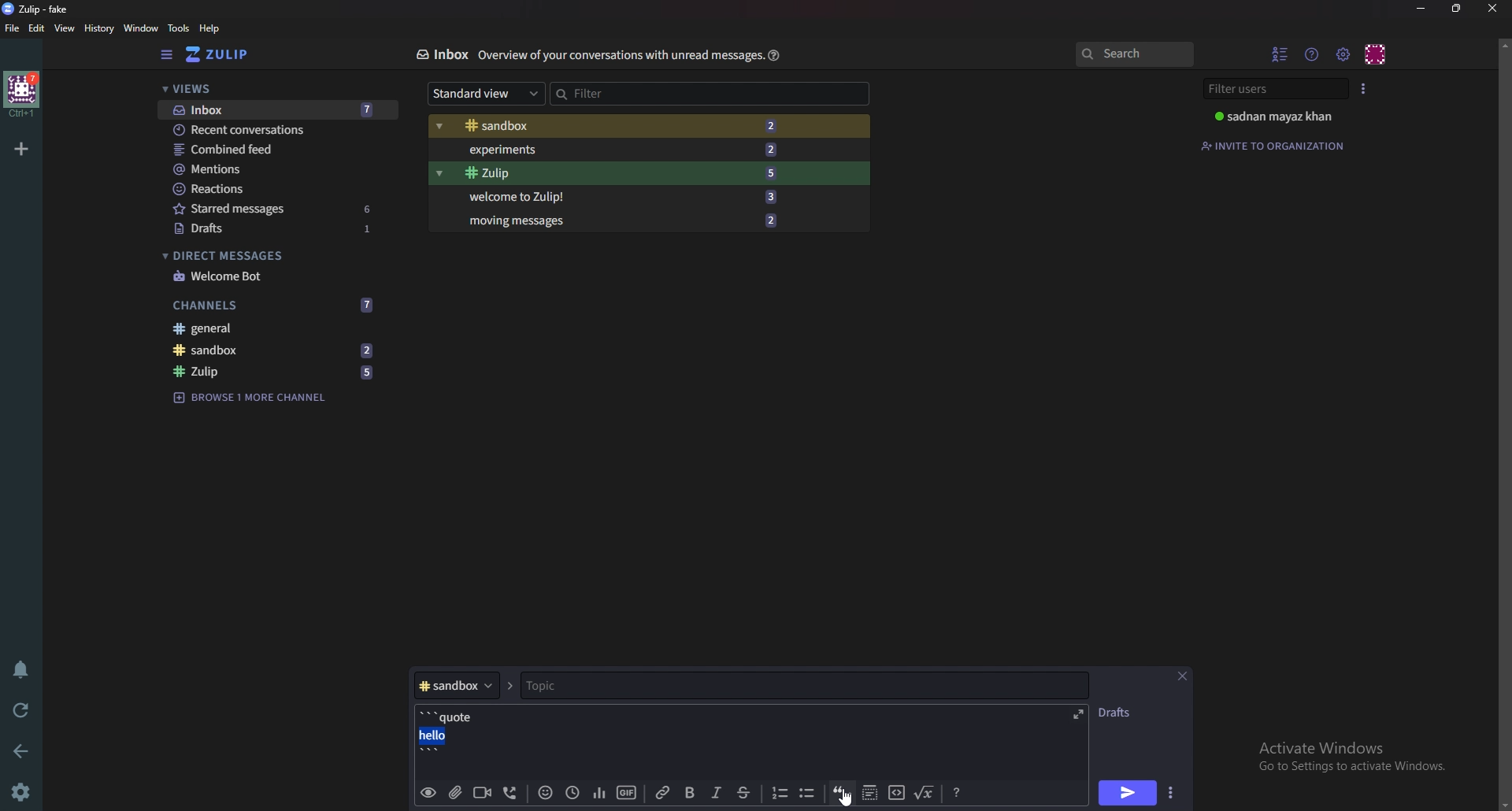 Image resolution: width=1512 pixels, height=811 pixels. What do you see at coordinates (775, 125) in the screenshot?
I see `2 ` at bounding box center [775, 125].